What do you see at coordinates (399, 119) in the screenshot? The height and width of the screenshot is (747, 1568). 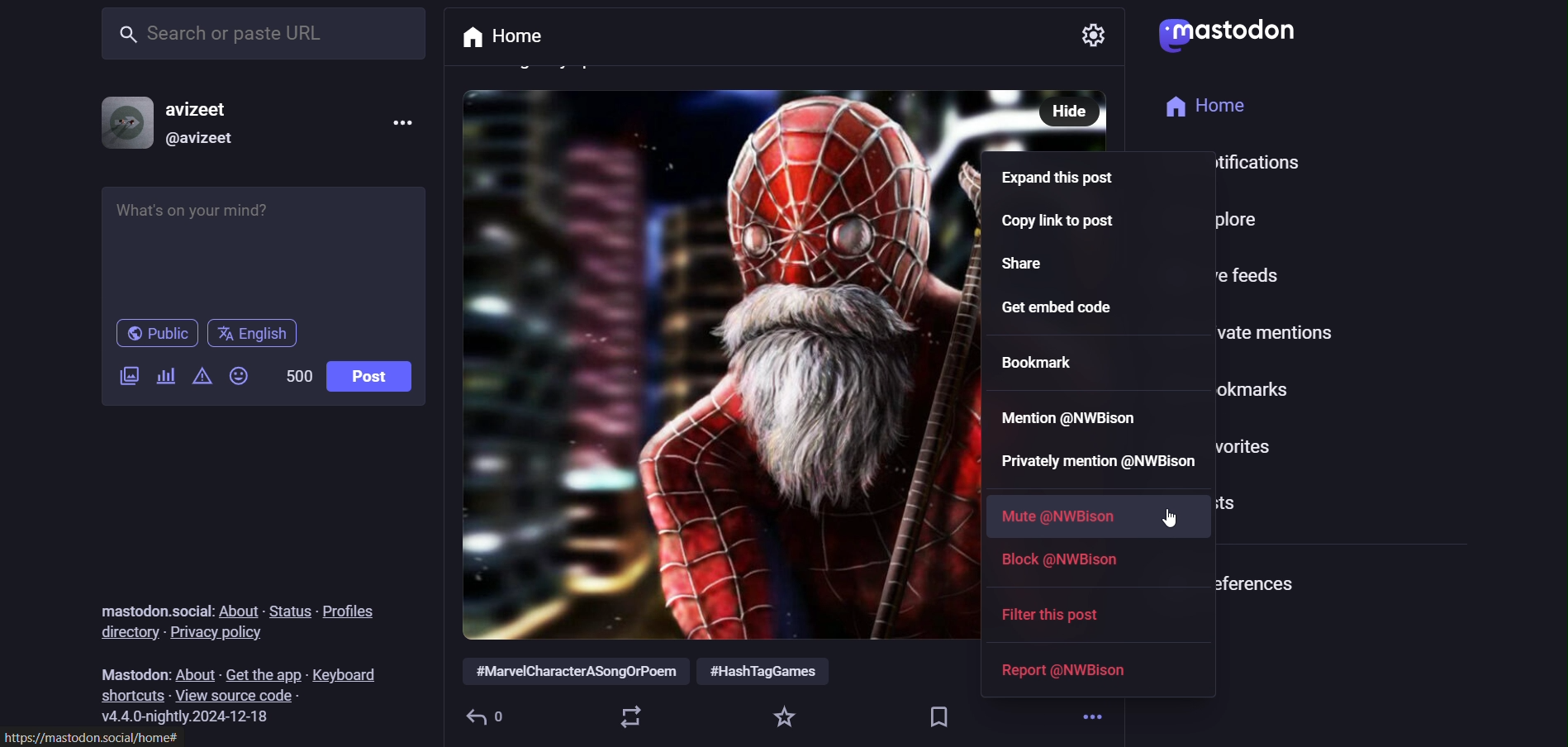 I see `menu` at bounding box center [399, 119].